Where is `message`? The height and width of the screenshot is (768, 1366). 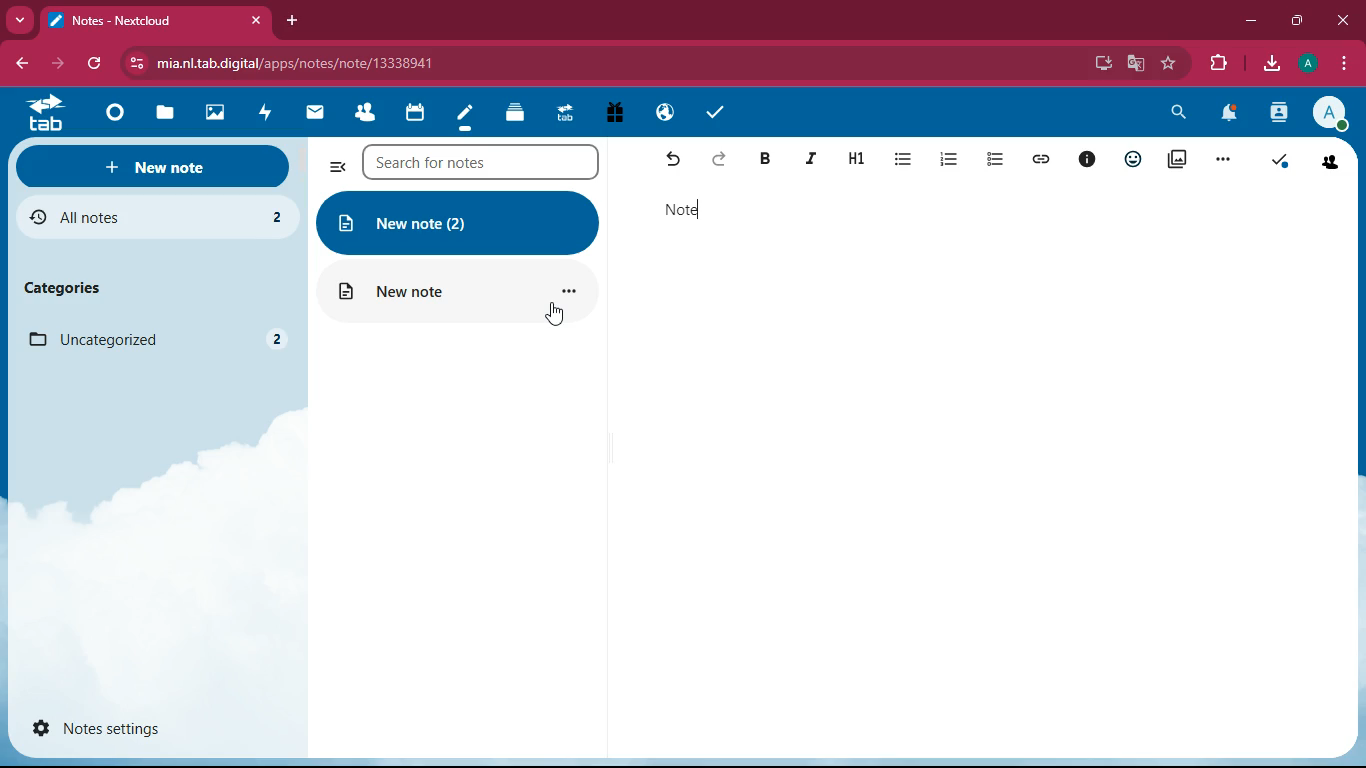 message is located at coordinates (318, 111).